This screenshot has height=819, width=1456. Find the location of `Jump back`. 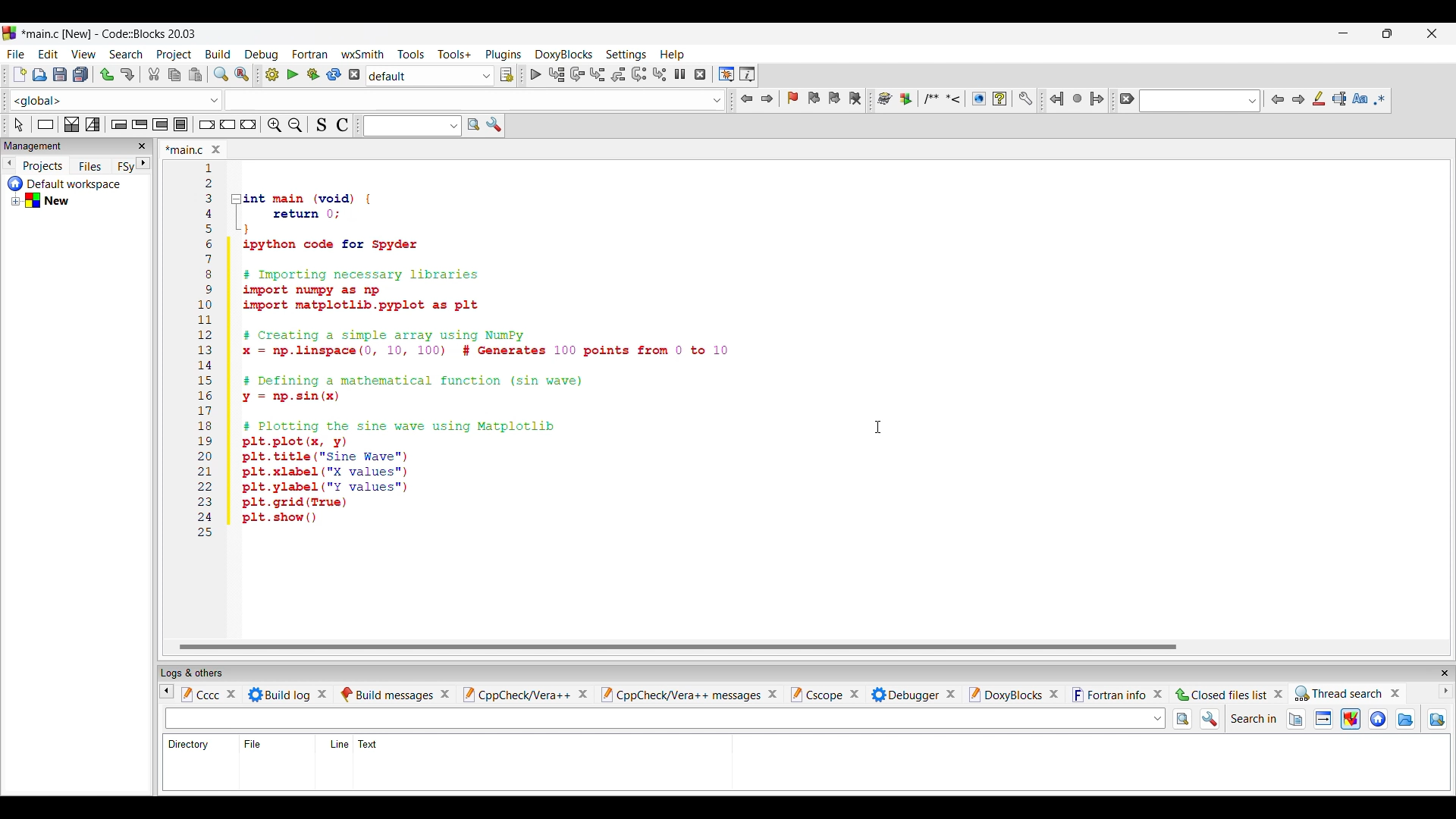

Jump back is located at coordinates (1055, 96).